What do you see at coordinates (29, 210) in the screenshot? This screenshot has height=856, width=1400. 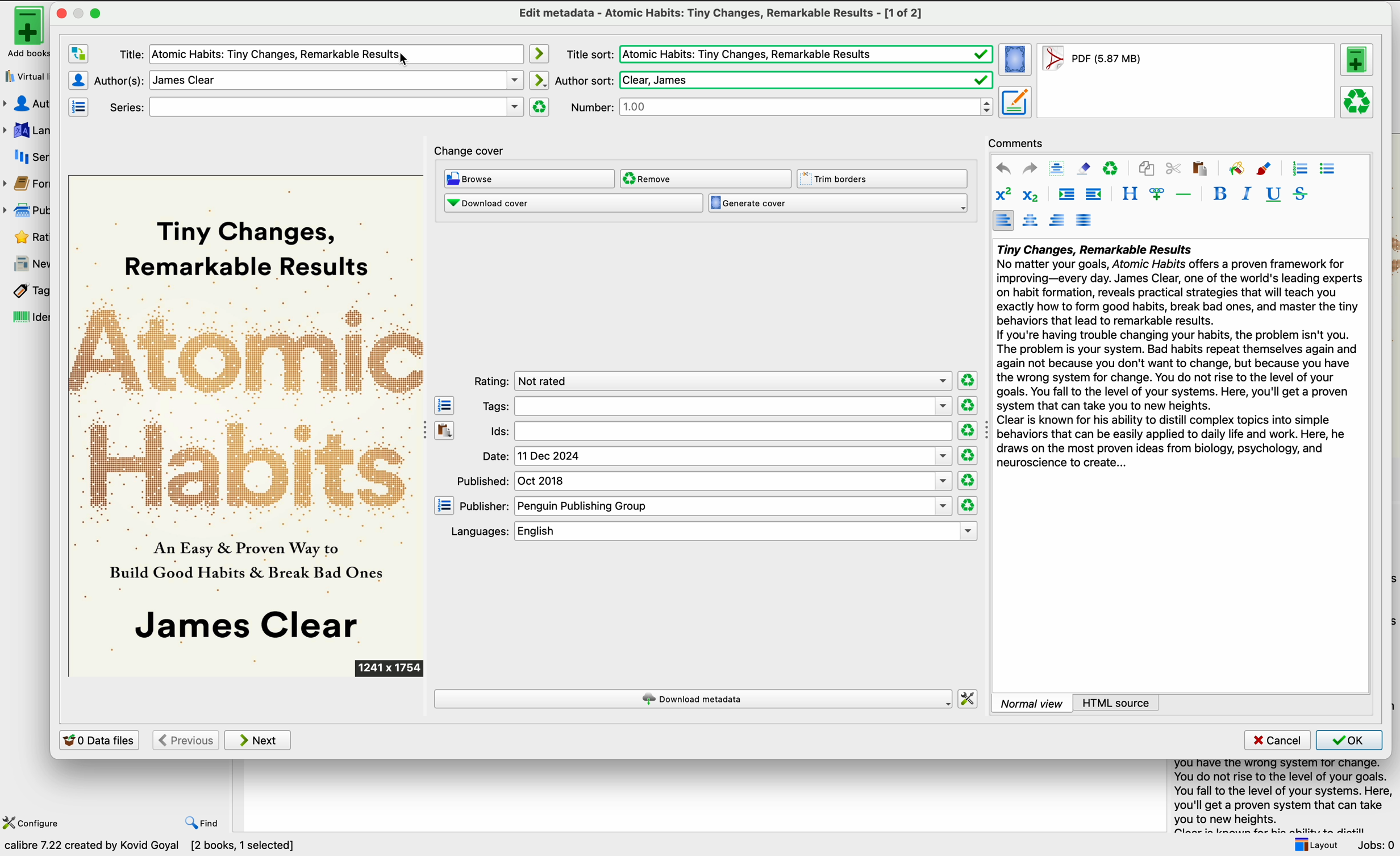 I see `publisher` at bounding box center [29, 210].